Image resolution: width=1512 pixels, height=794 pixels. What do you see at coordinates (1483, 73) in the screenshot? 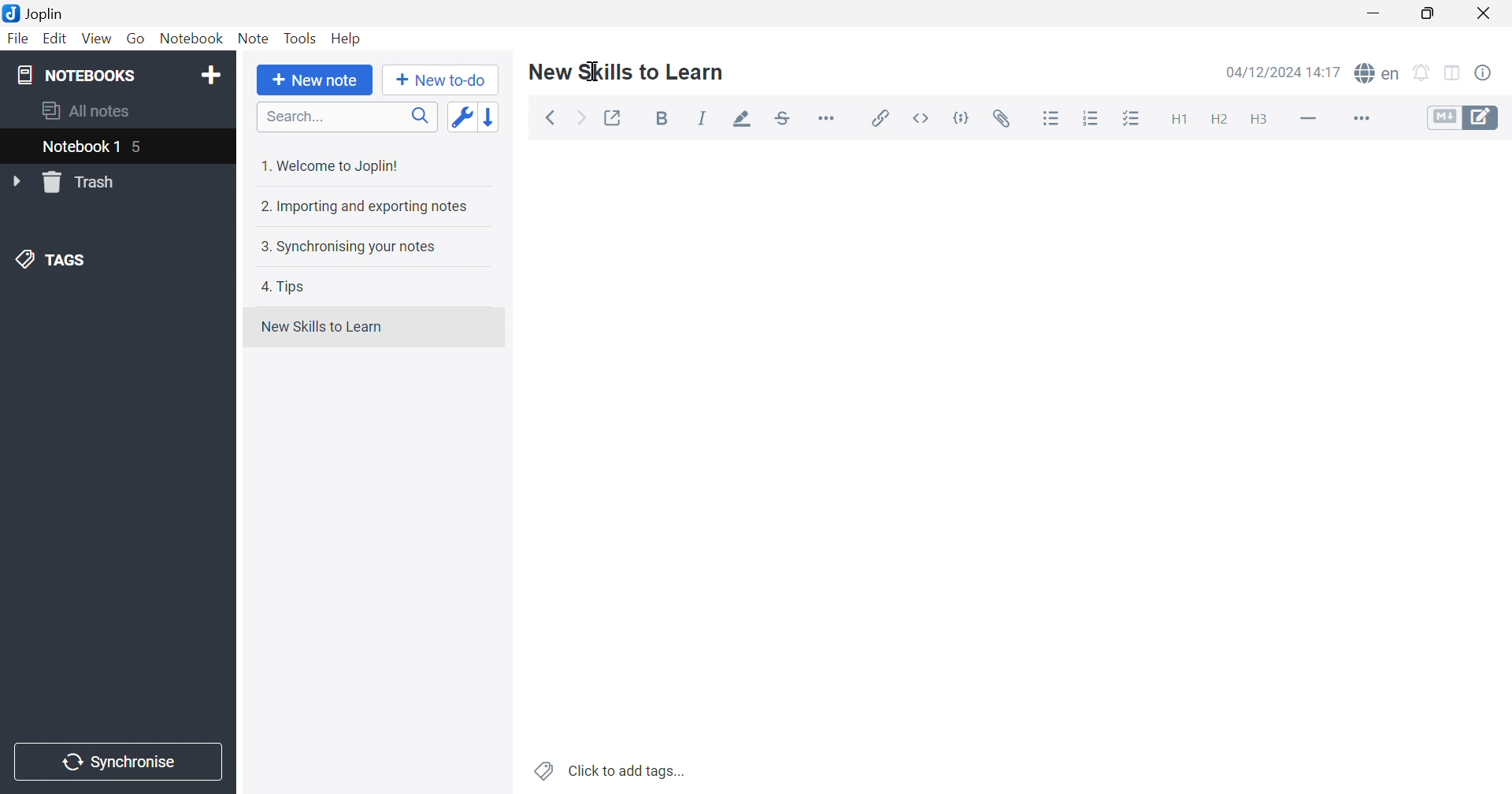
I see `Note properties` at bounding box center [1483, 73].